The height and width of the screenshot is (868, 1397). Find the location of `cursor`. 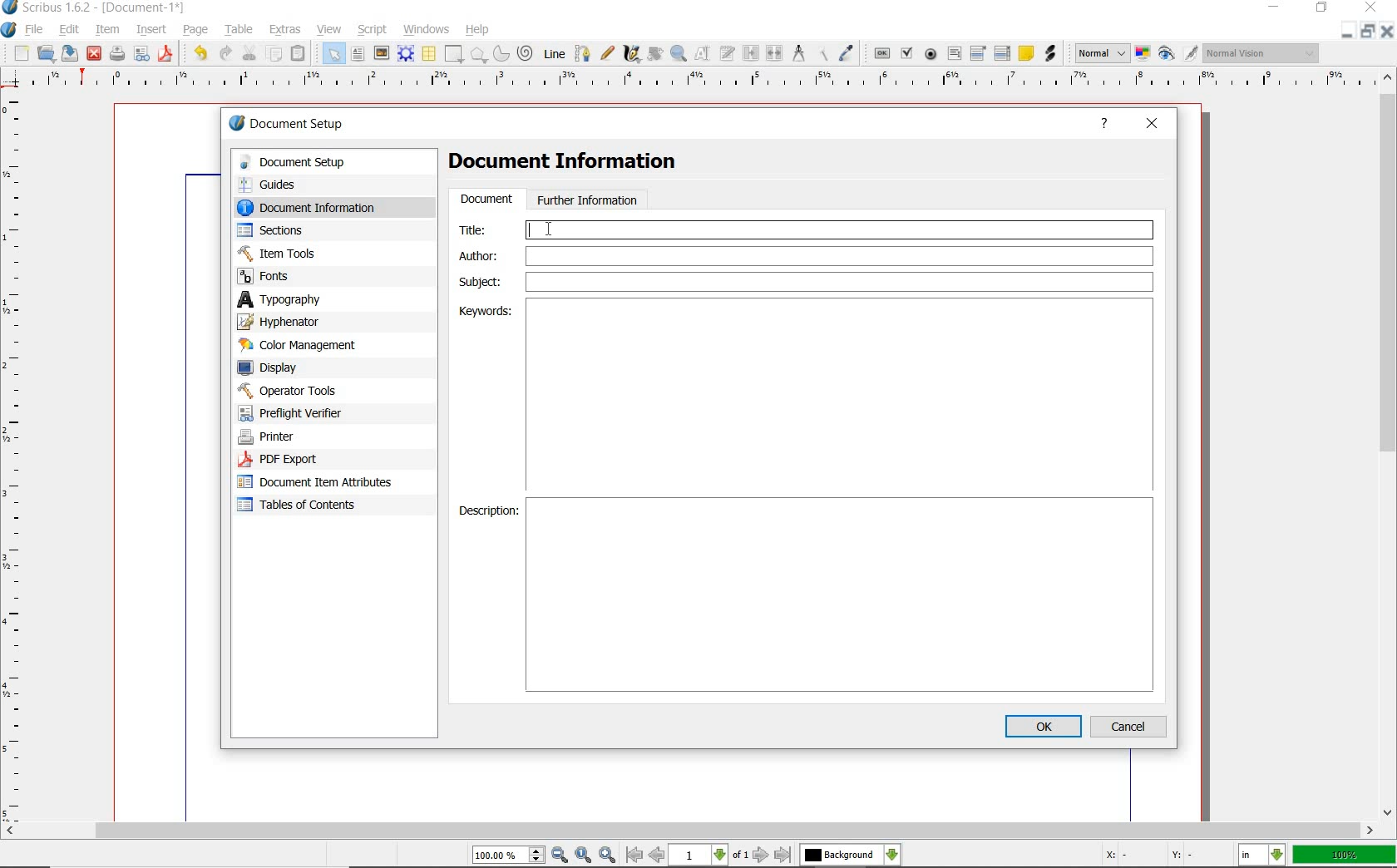

cursor is located at coordinates (551, 229).